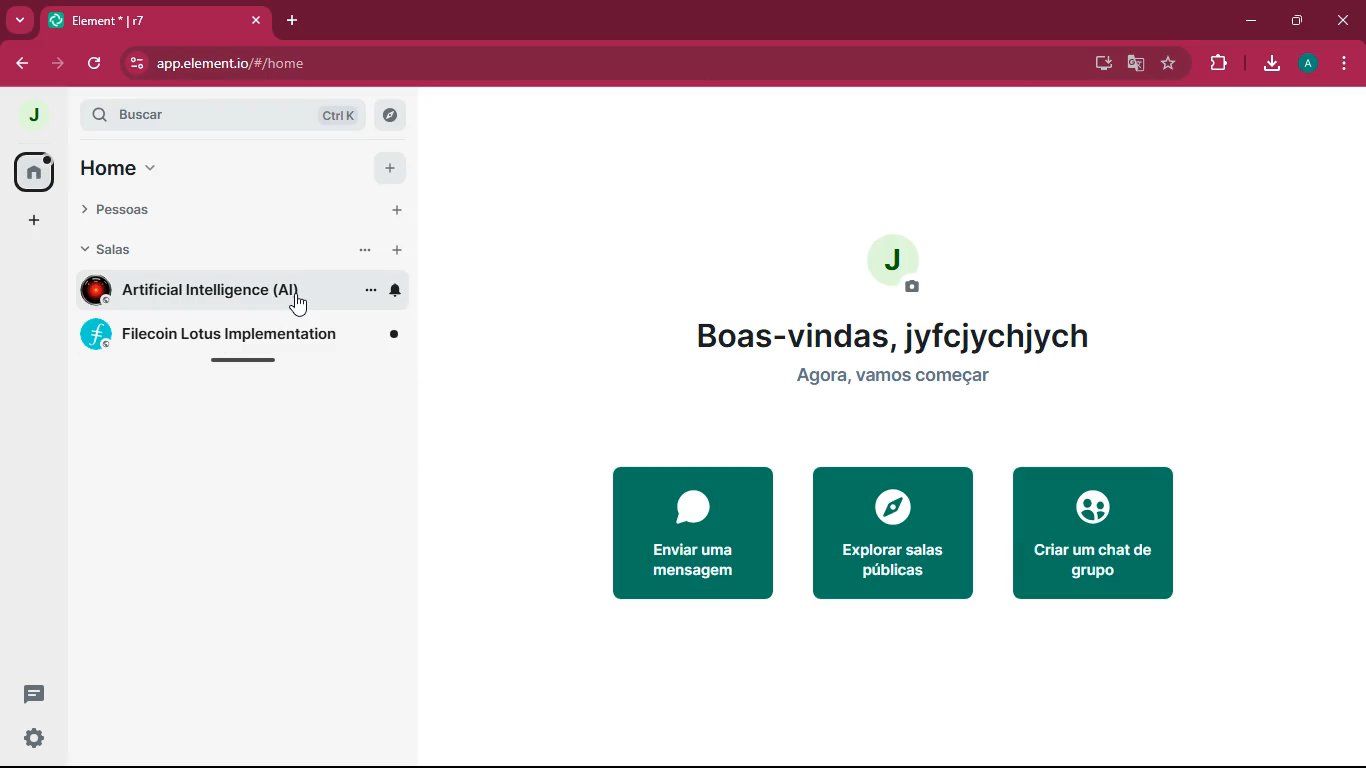 The image size is (1366, 768). What do you see at coordinates (1251, 22) in the screenshot?
I see `minimize` at bounding box center [1251, 22].